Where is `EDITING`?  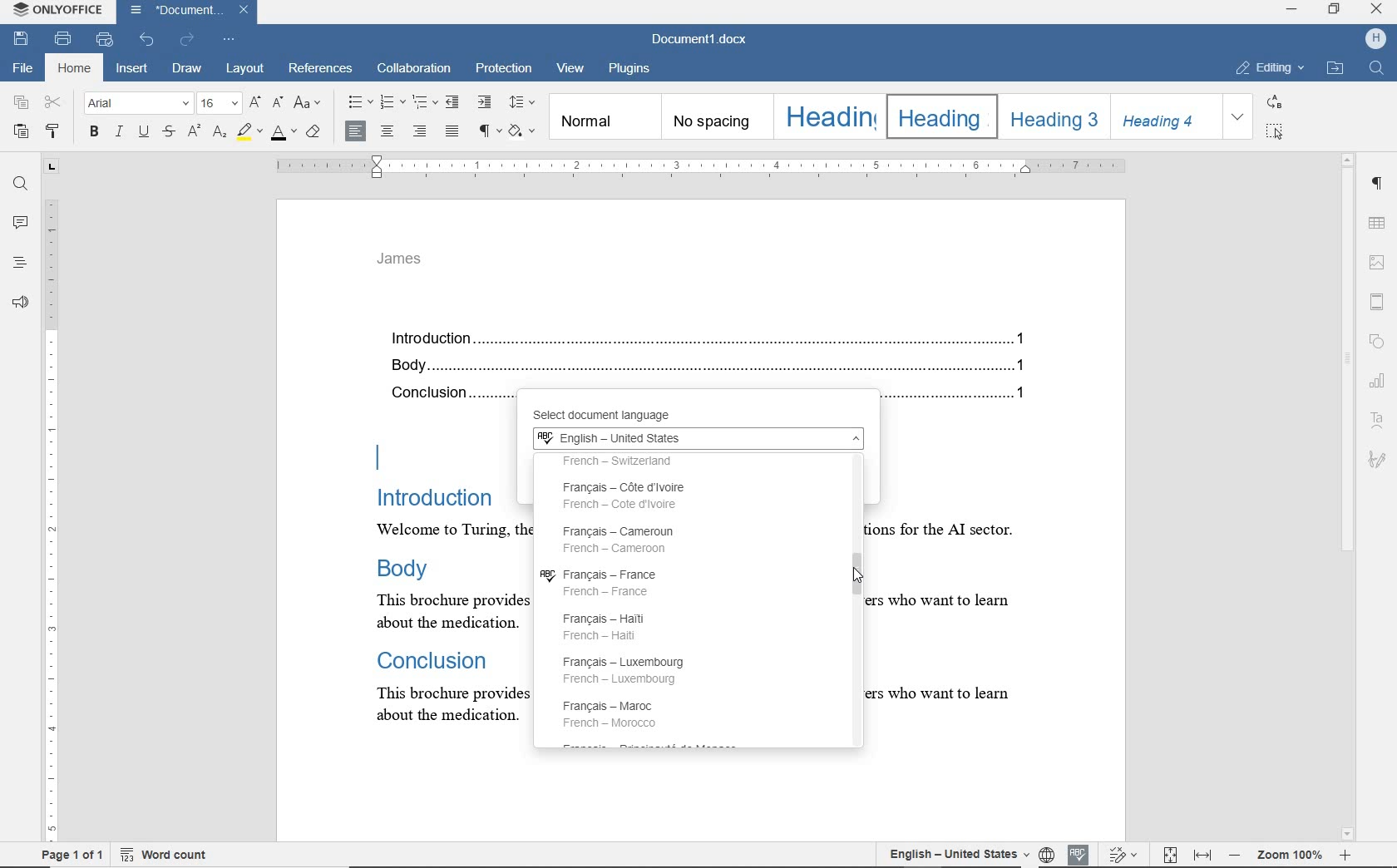 EDITING is located at coordinates (1271, 69).